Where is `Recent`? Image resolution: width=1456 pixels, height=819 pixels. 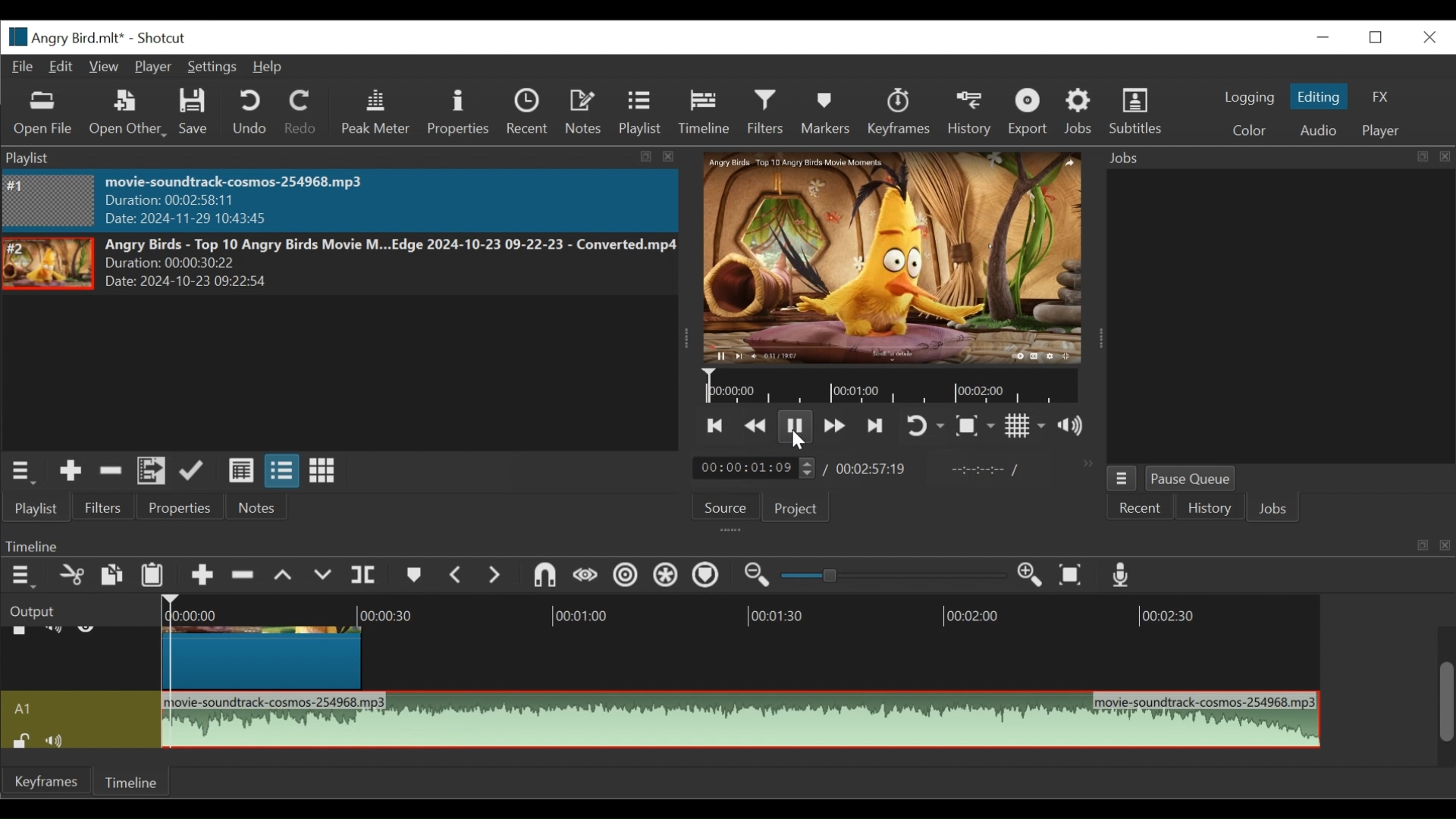
Recent is located at coordinates (527, 112).